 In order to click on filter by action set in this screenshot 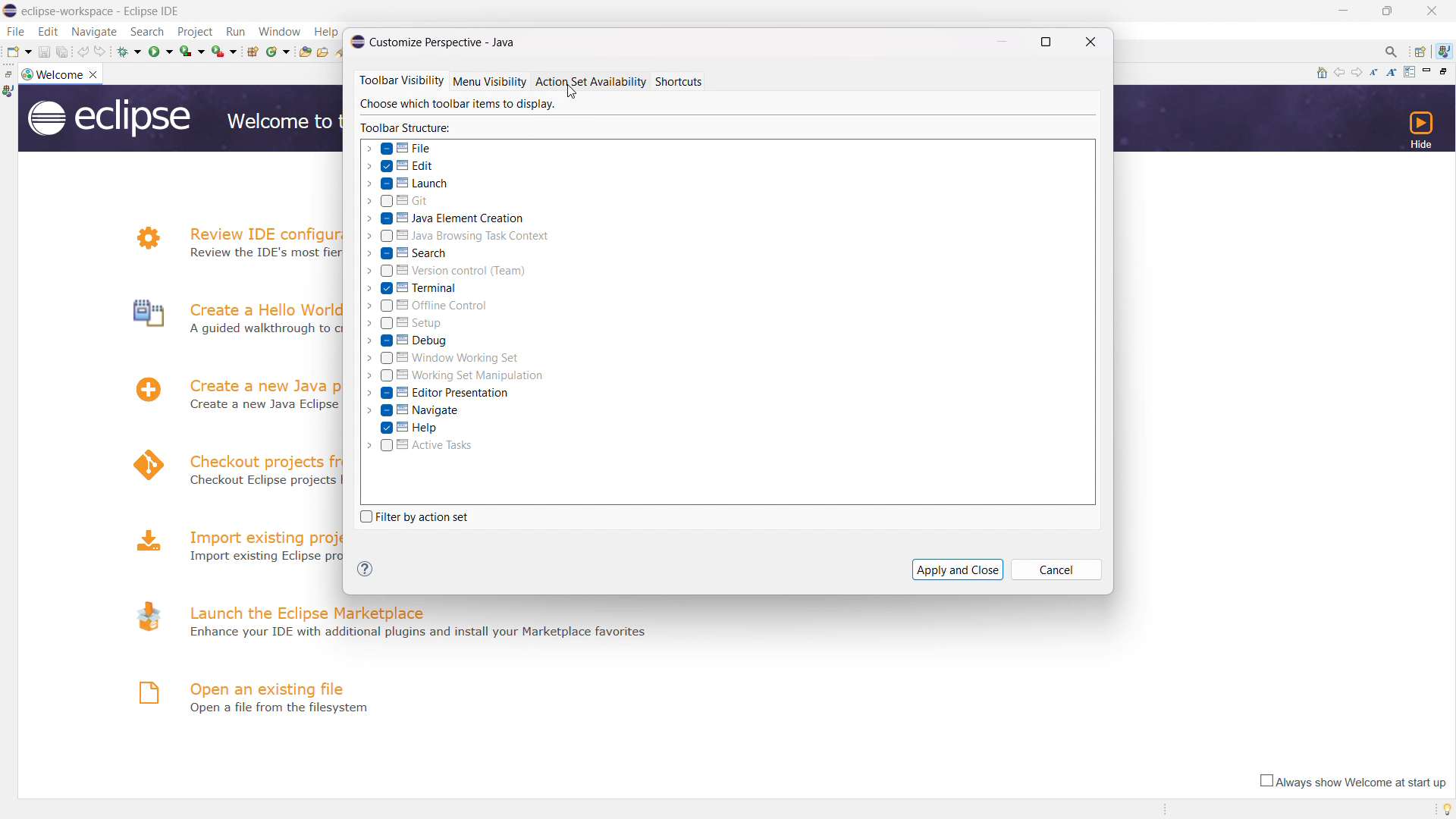, I will do `click(414, 516)`.